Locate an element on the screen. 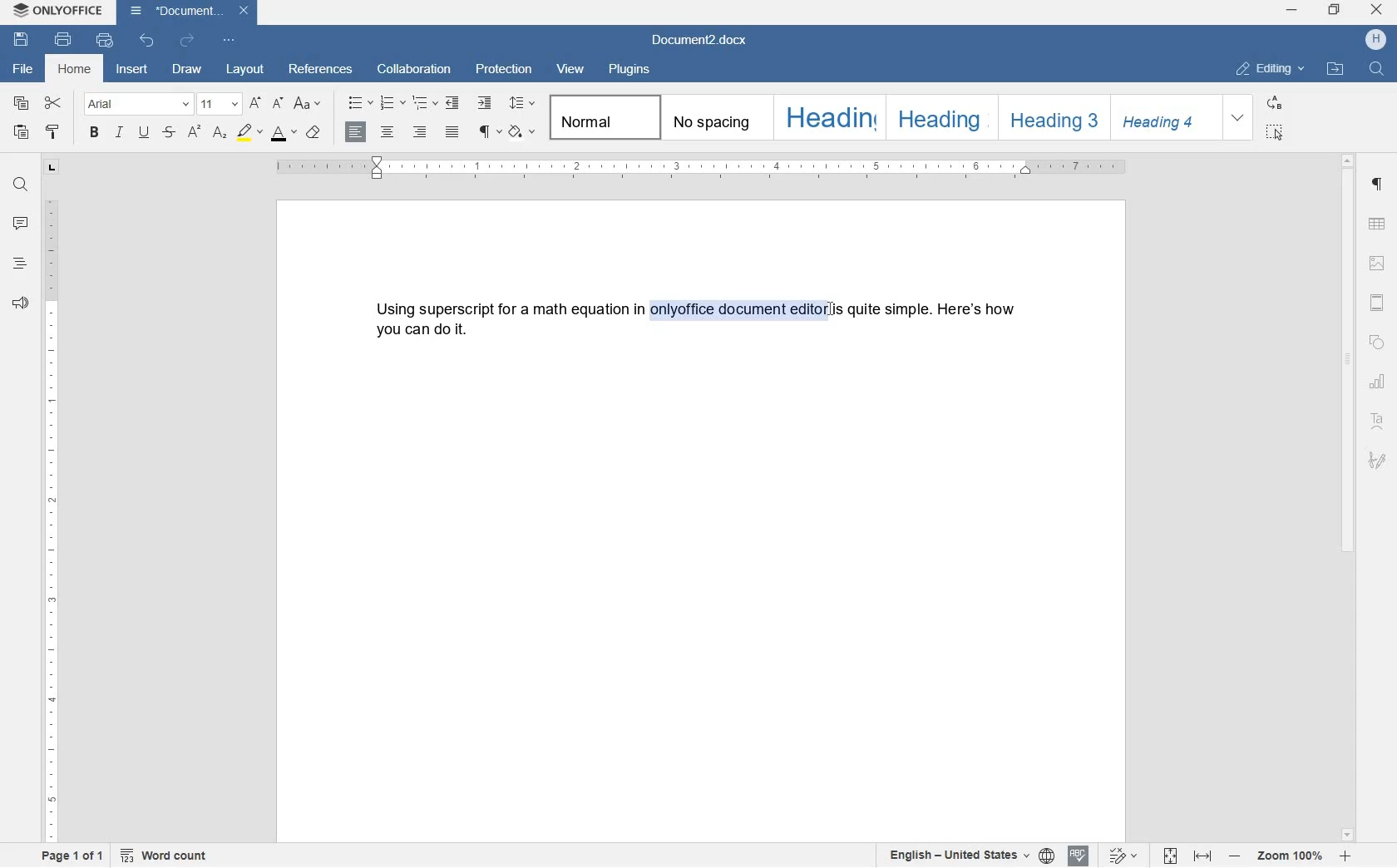 The image size is (1397, 868). font size is located at coordinates (219, 103).